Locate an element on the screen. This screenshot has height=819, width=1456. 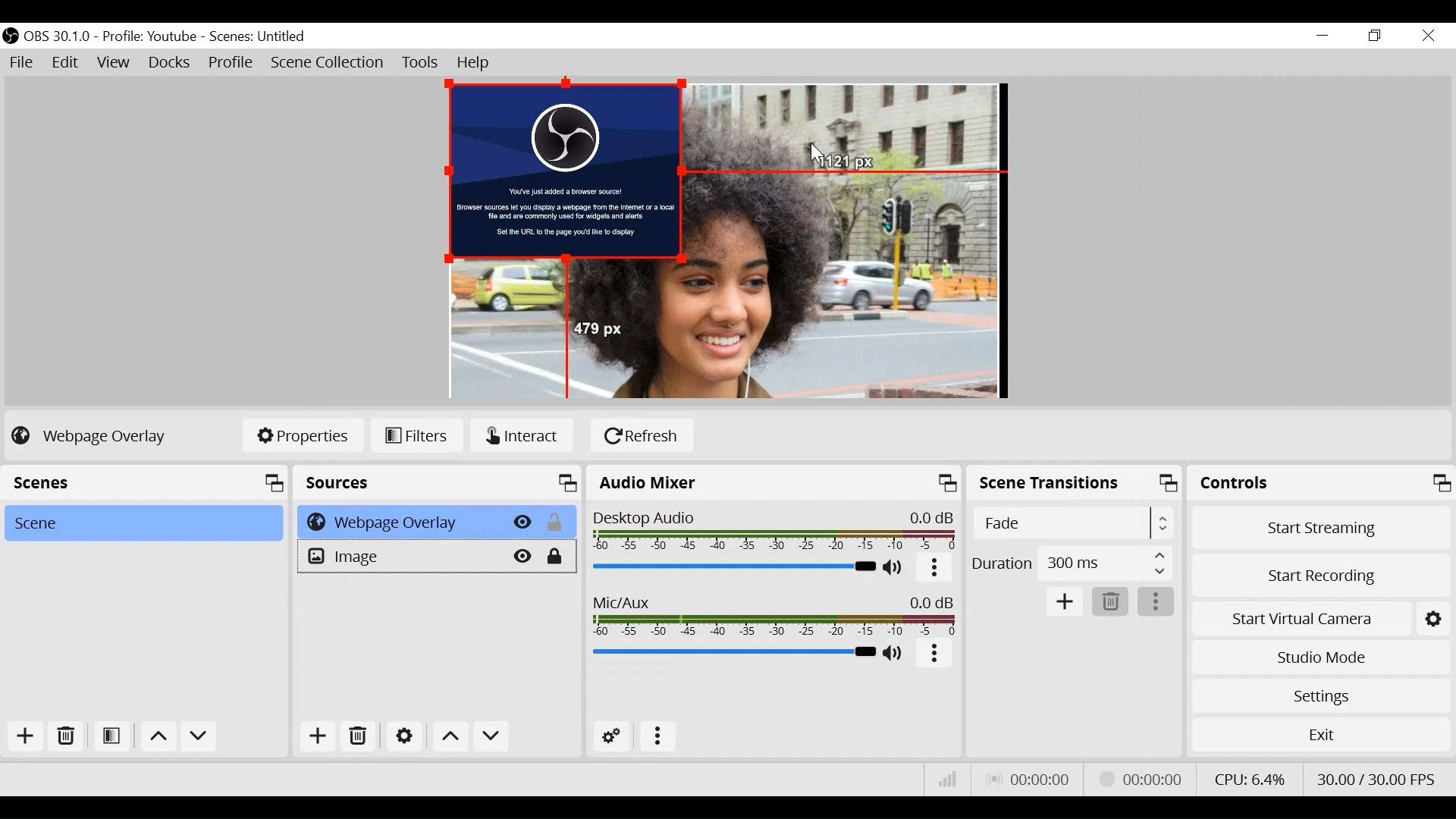
Exit is located at coordinates (1320, 733).